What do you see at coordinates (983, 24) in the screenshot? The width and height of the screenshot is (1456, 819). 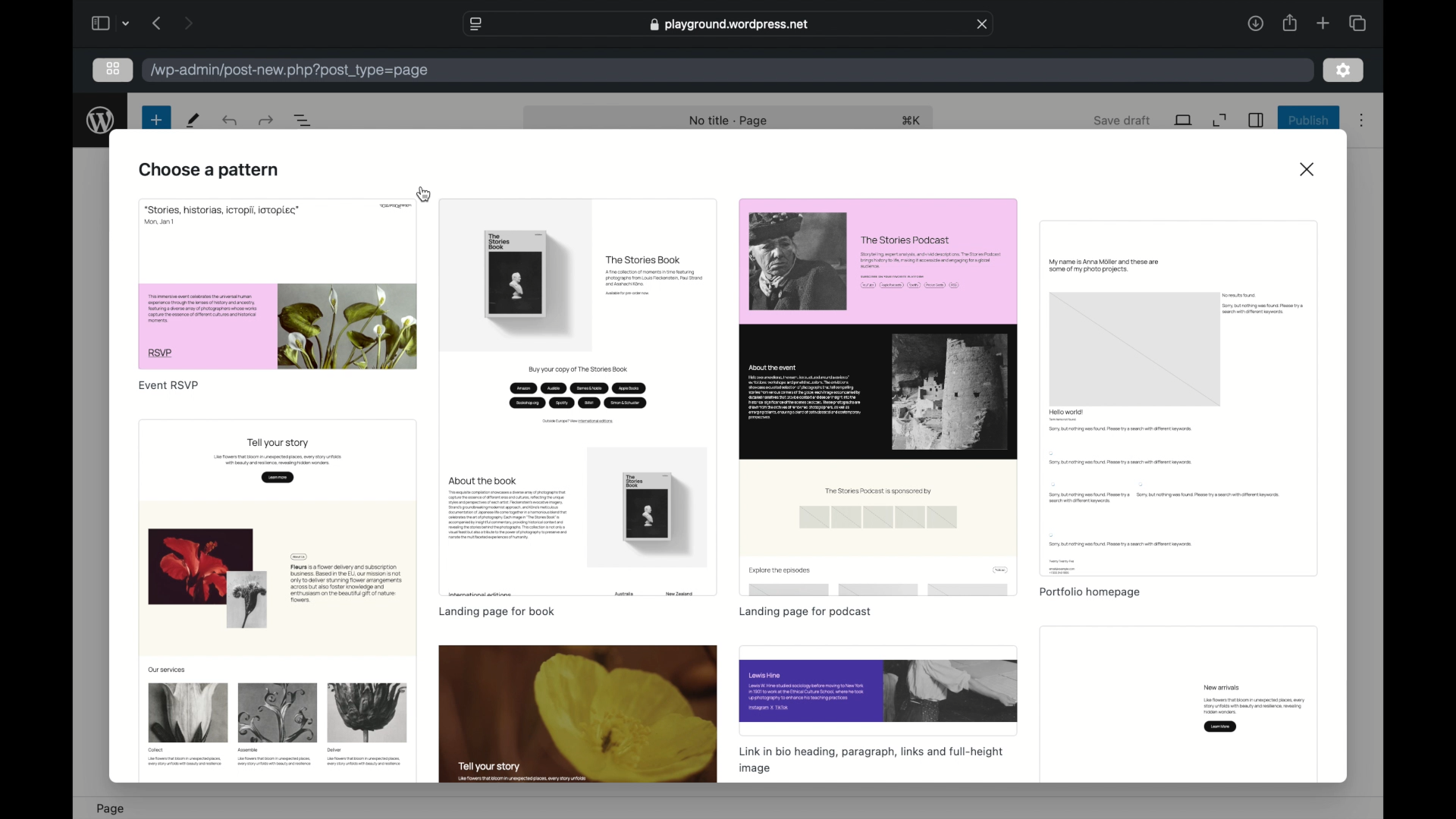 I see `close` at bounding box center [983, 24].